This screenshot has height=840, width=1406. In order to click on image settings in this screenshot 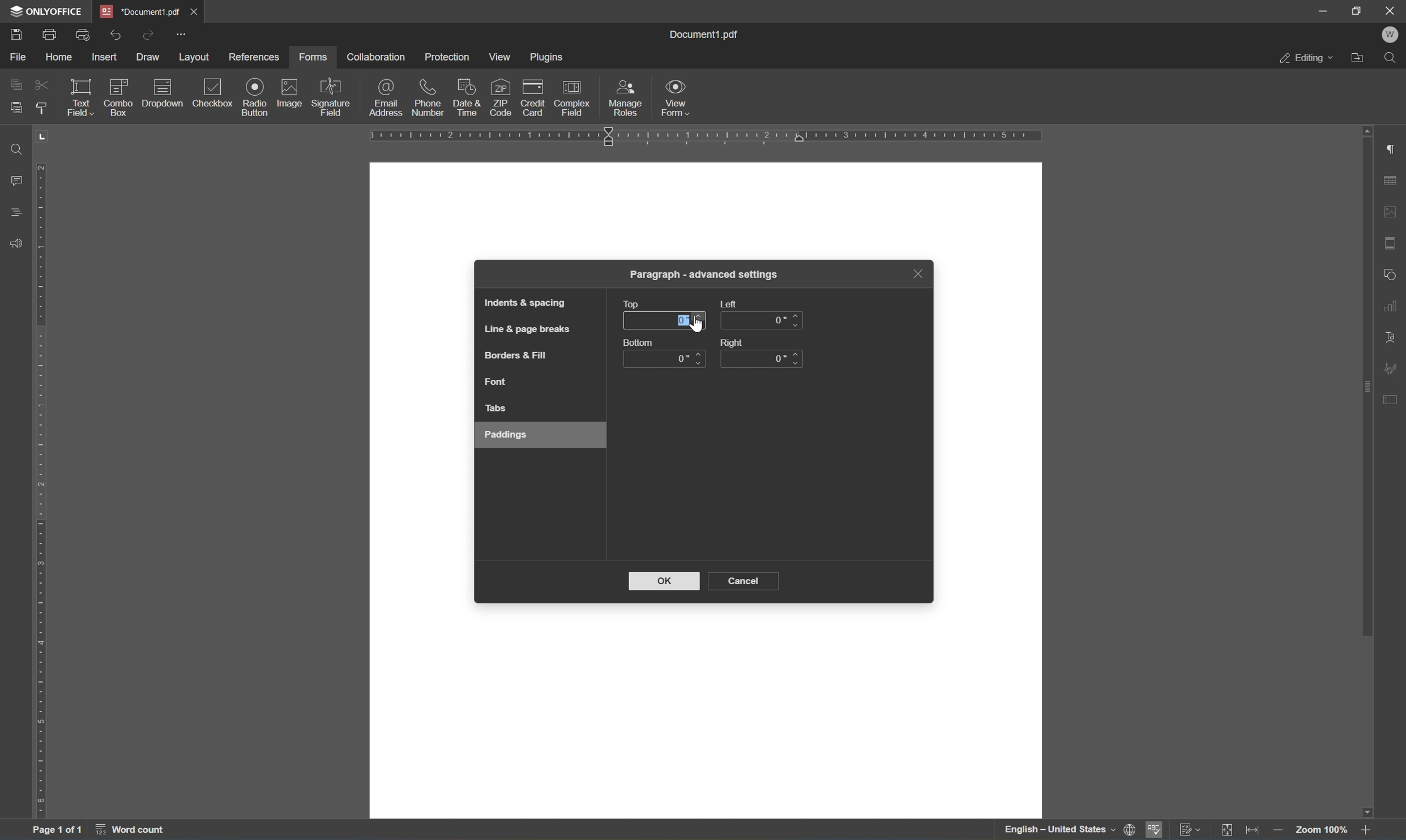, I will do `click(1391, 214)`.